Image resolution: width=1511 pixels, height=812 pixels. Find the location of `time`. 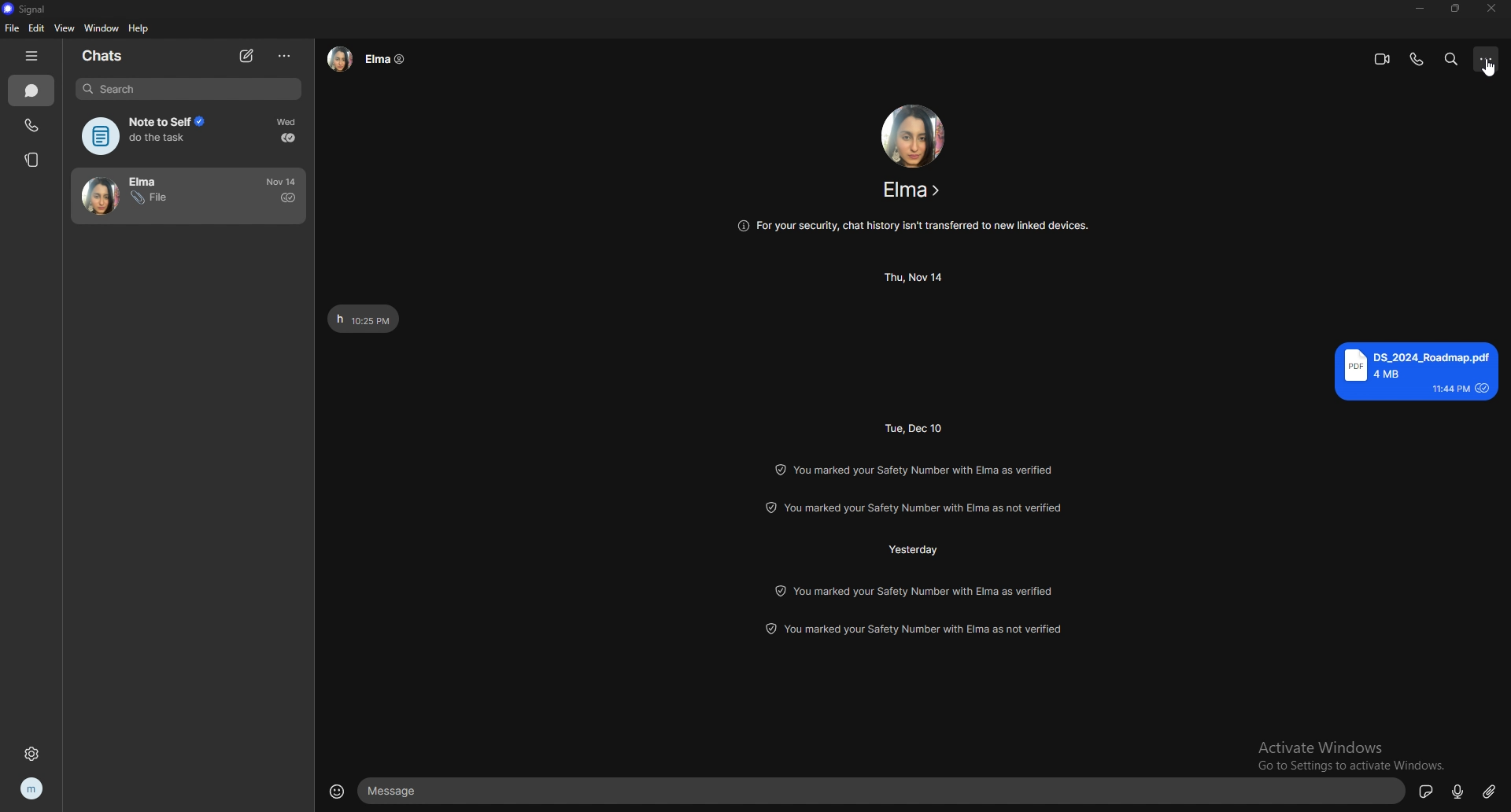

time is located at coordinates (914, 549).